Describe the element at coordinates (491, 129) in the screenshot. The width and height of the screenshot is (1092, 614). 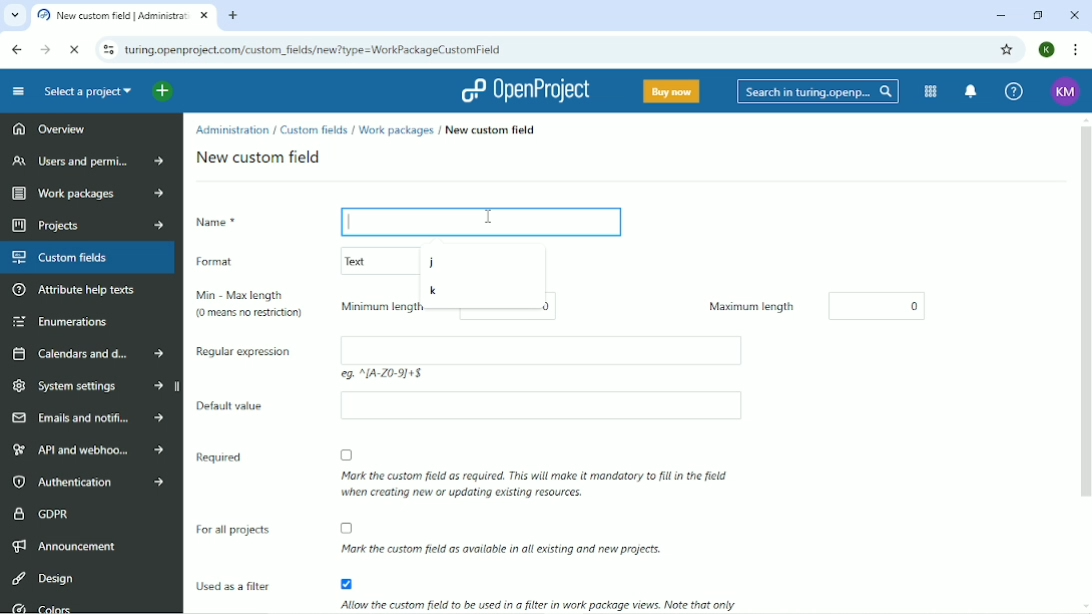
I see `New custom field` at that location.